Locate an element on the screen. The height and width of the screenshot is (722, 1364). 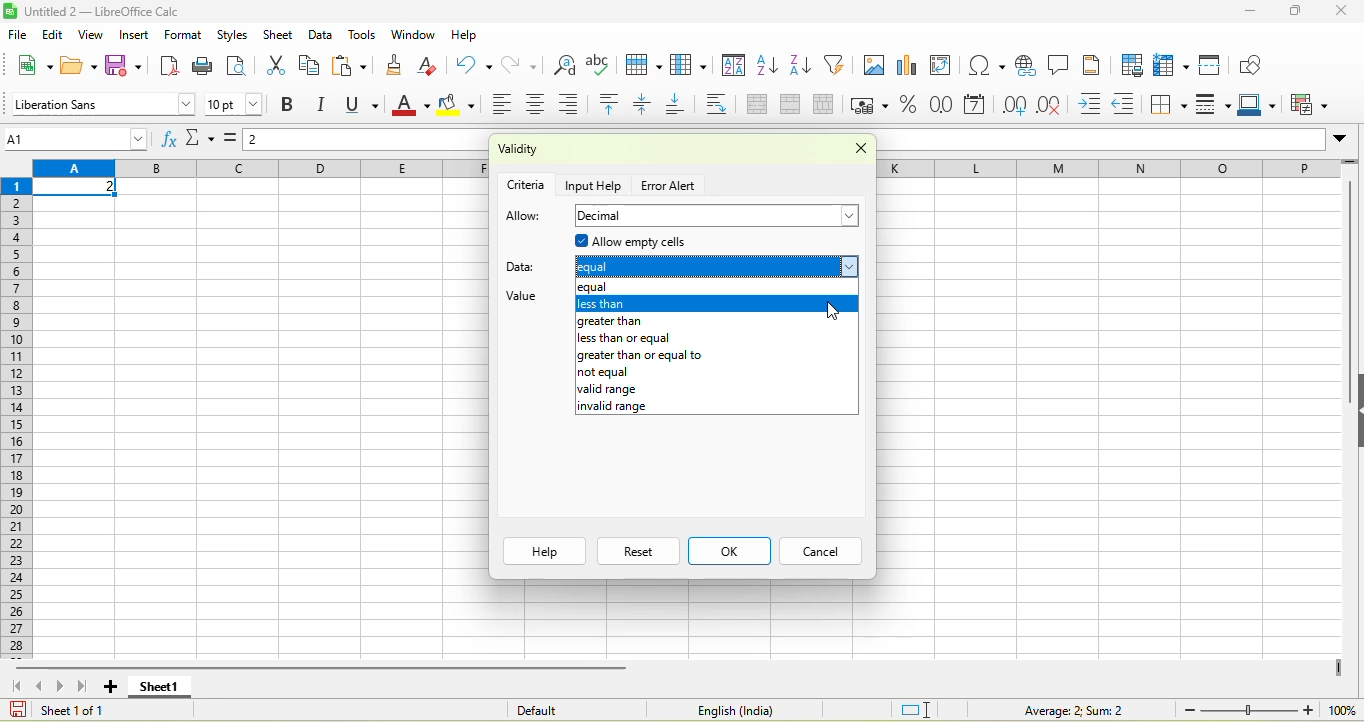
cancel is located at coordinates (818, 552).